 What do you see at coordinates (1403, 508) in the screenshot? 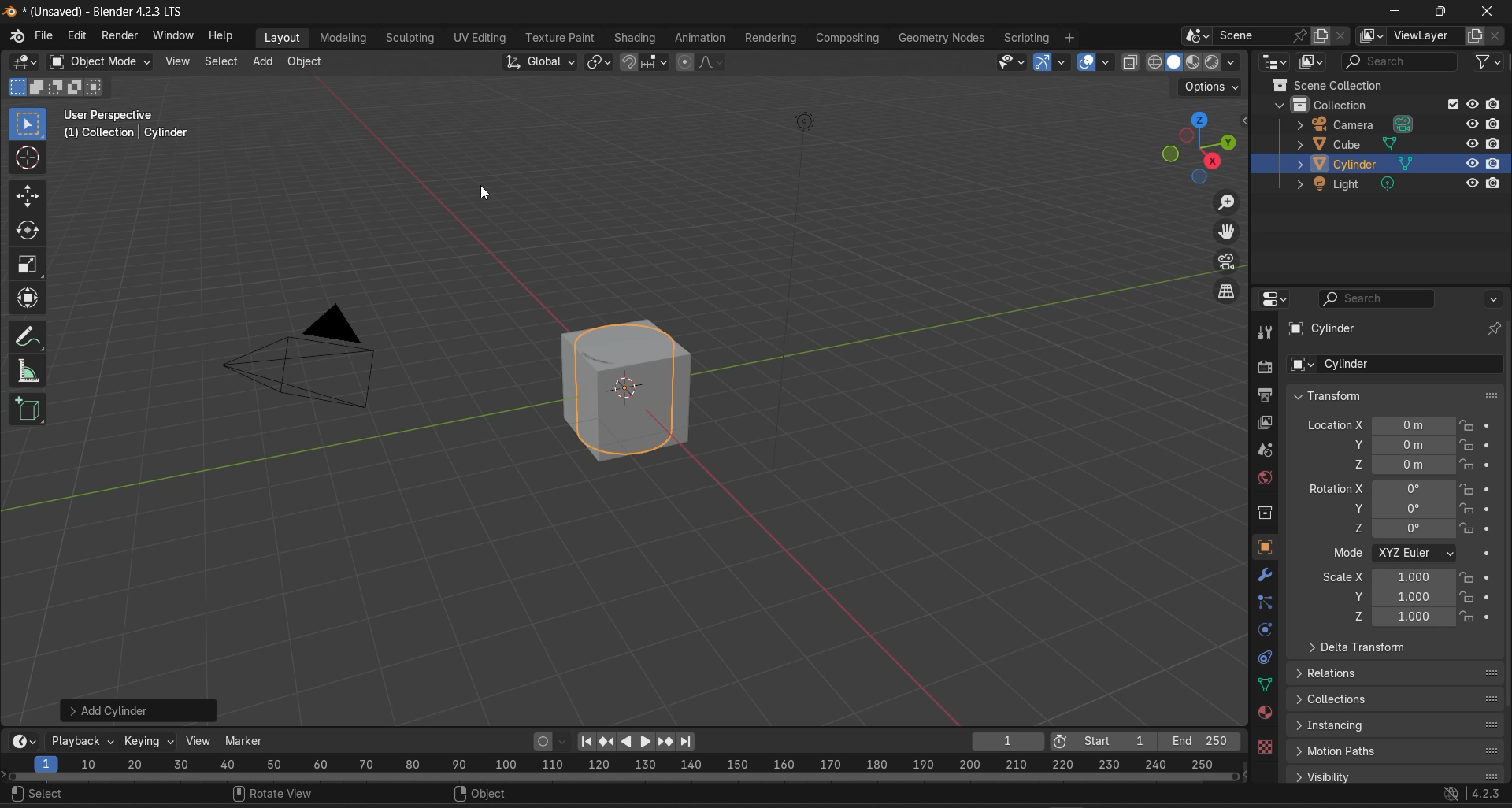
I see `rotation y` at bounding box center [1403, 508].